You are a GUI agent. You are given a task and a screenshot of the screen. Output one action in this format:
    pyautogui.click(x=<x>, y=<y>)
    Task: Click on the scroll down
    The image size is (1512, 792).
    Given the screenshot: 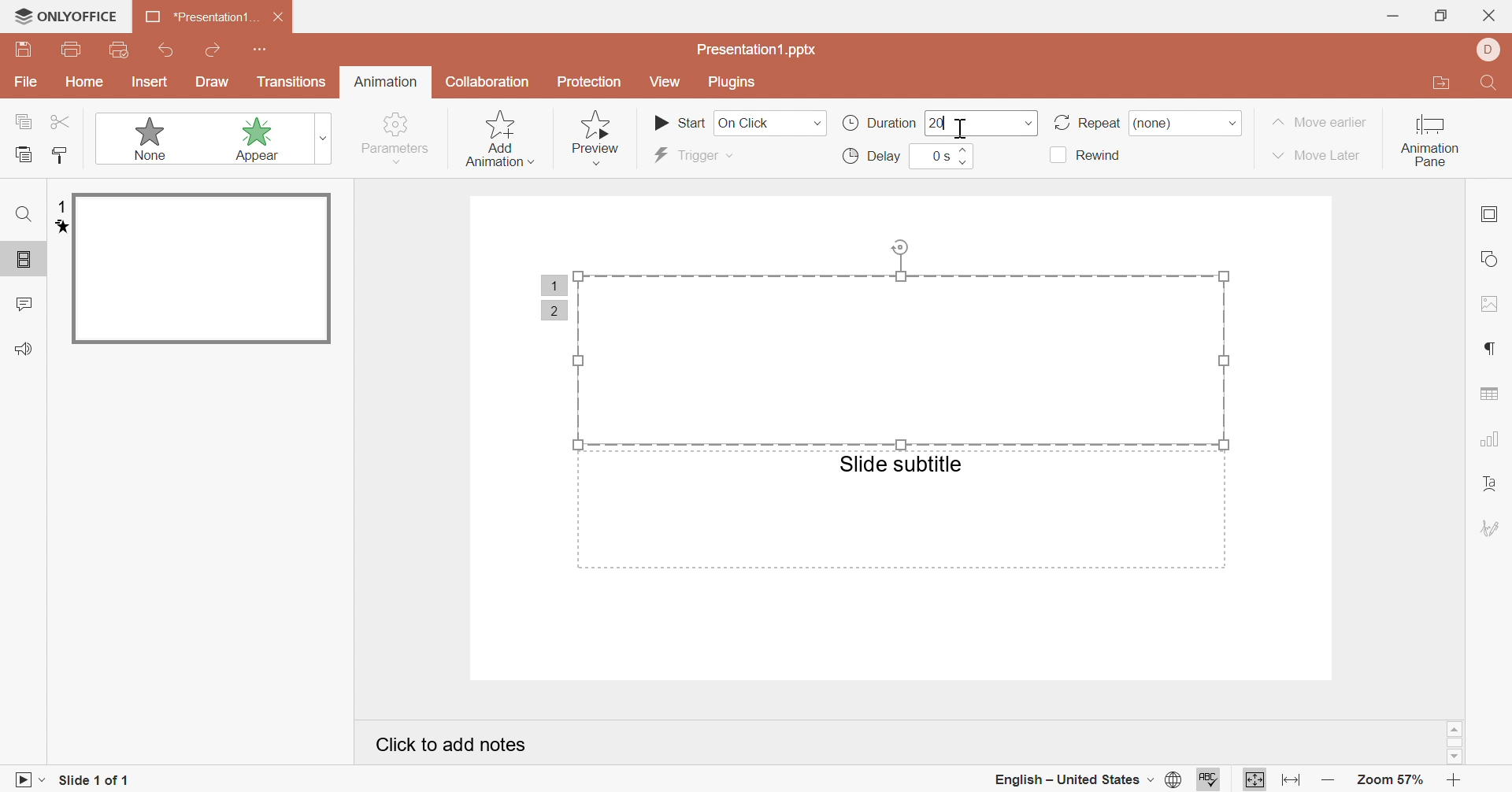 What is the action you would take?
    pyautogui.click(x=1455, y=757)
    